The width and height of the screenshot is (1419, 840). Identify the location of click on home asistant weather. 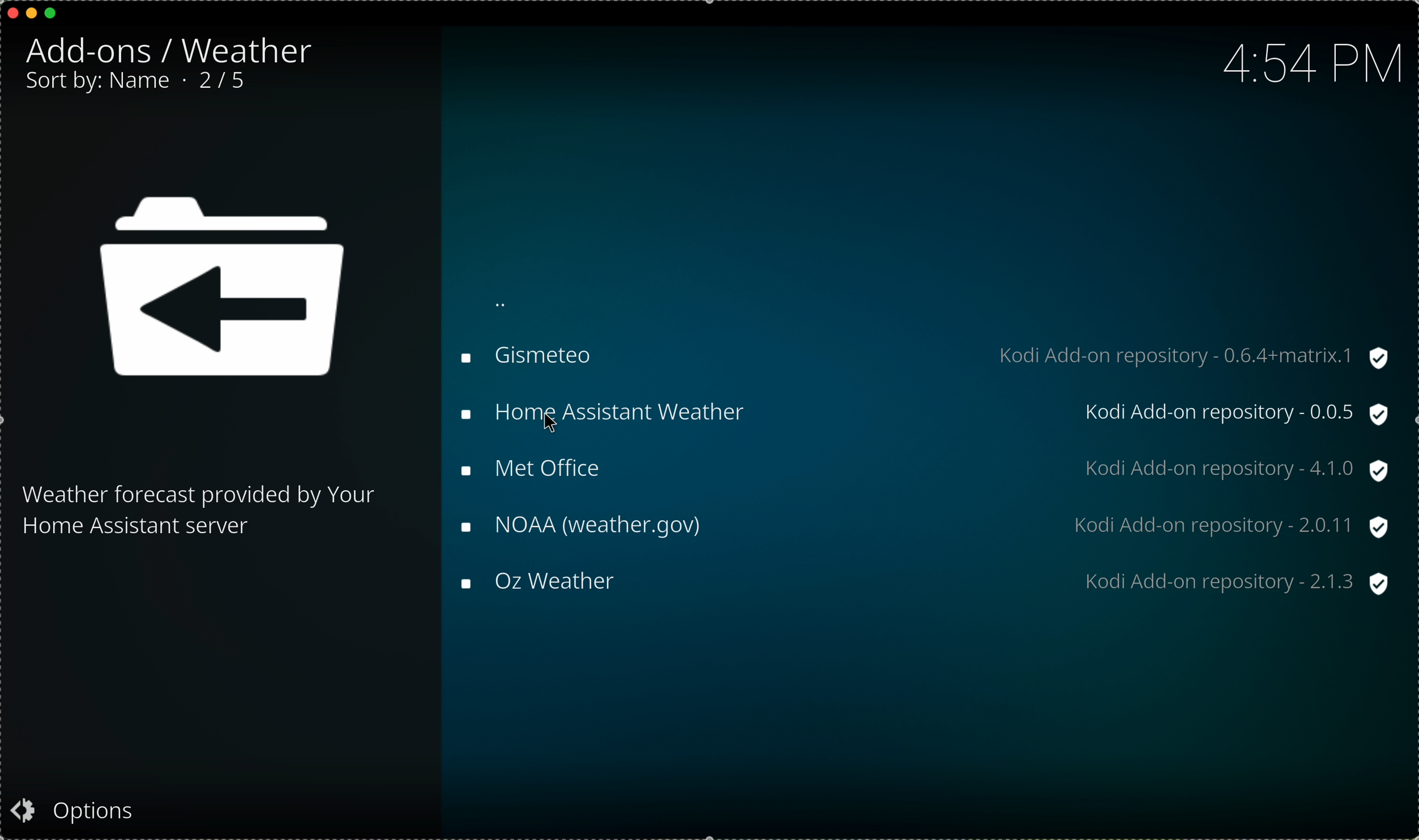
(927, 414).